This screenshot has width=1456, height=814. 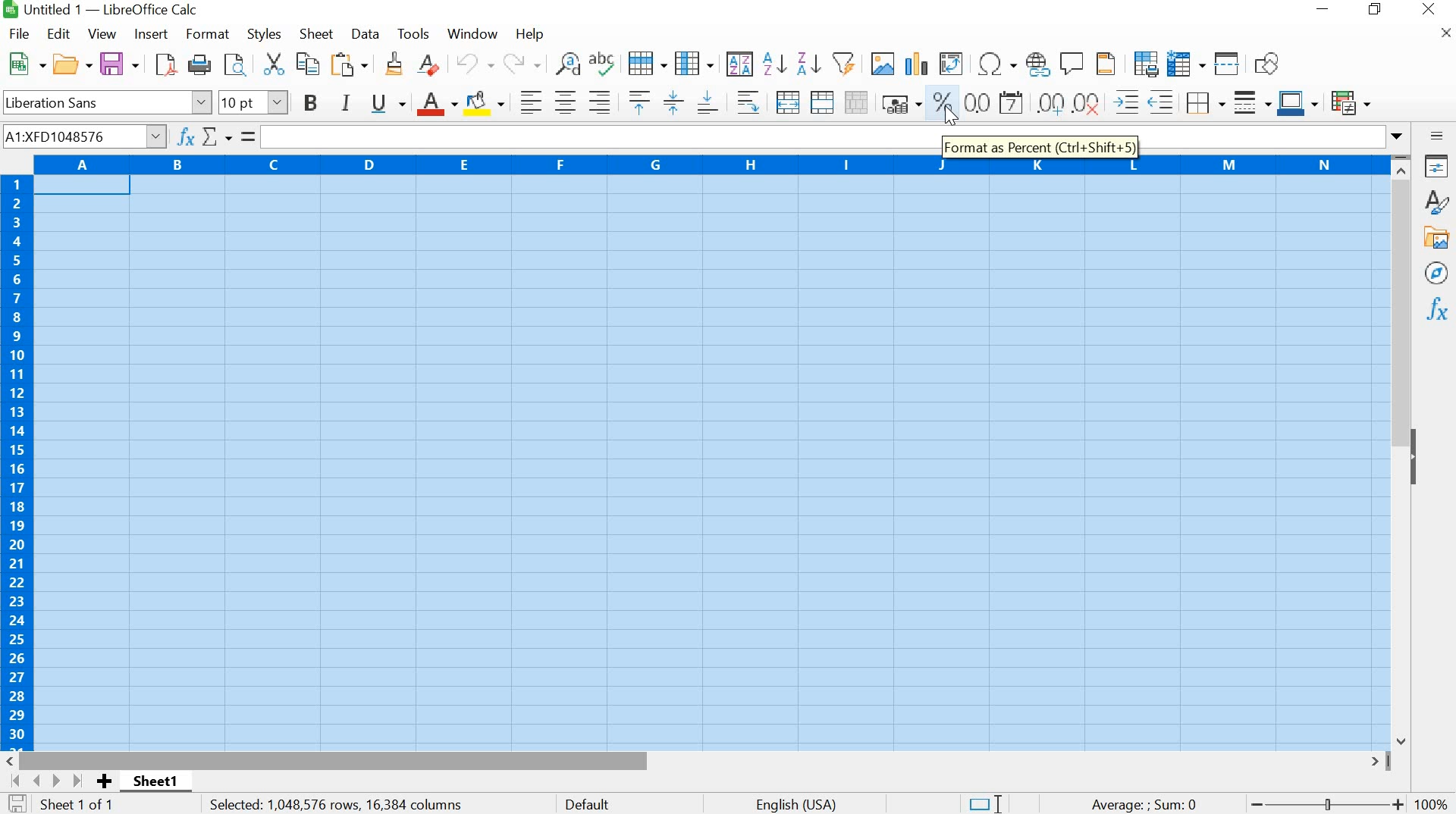 What do you see at coordinates (1354, 104) in the screenshot?
I see `Conditional` at bounding box center [1354, 104].